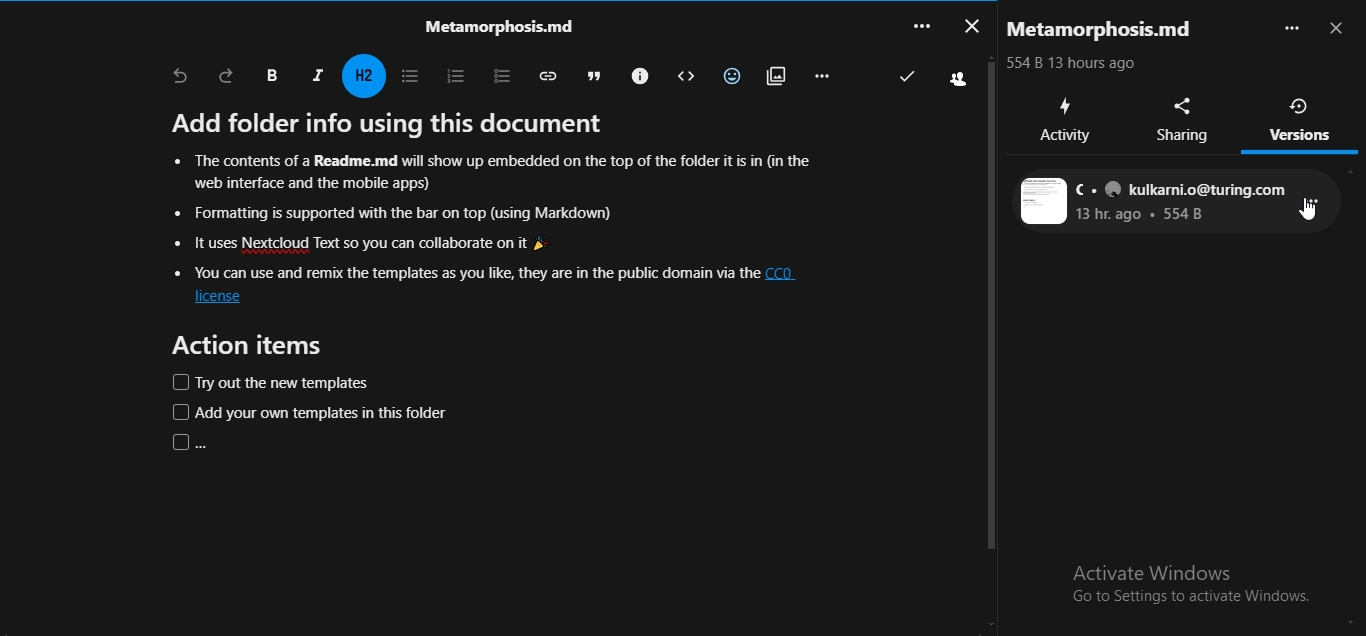 This screenshot has width=1366, height=636. Describe the element at coordinates (366, 76) in the screenshot. I see `headings` at that location.